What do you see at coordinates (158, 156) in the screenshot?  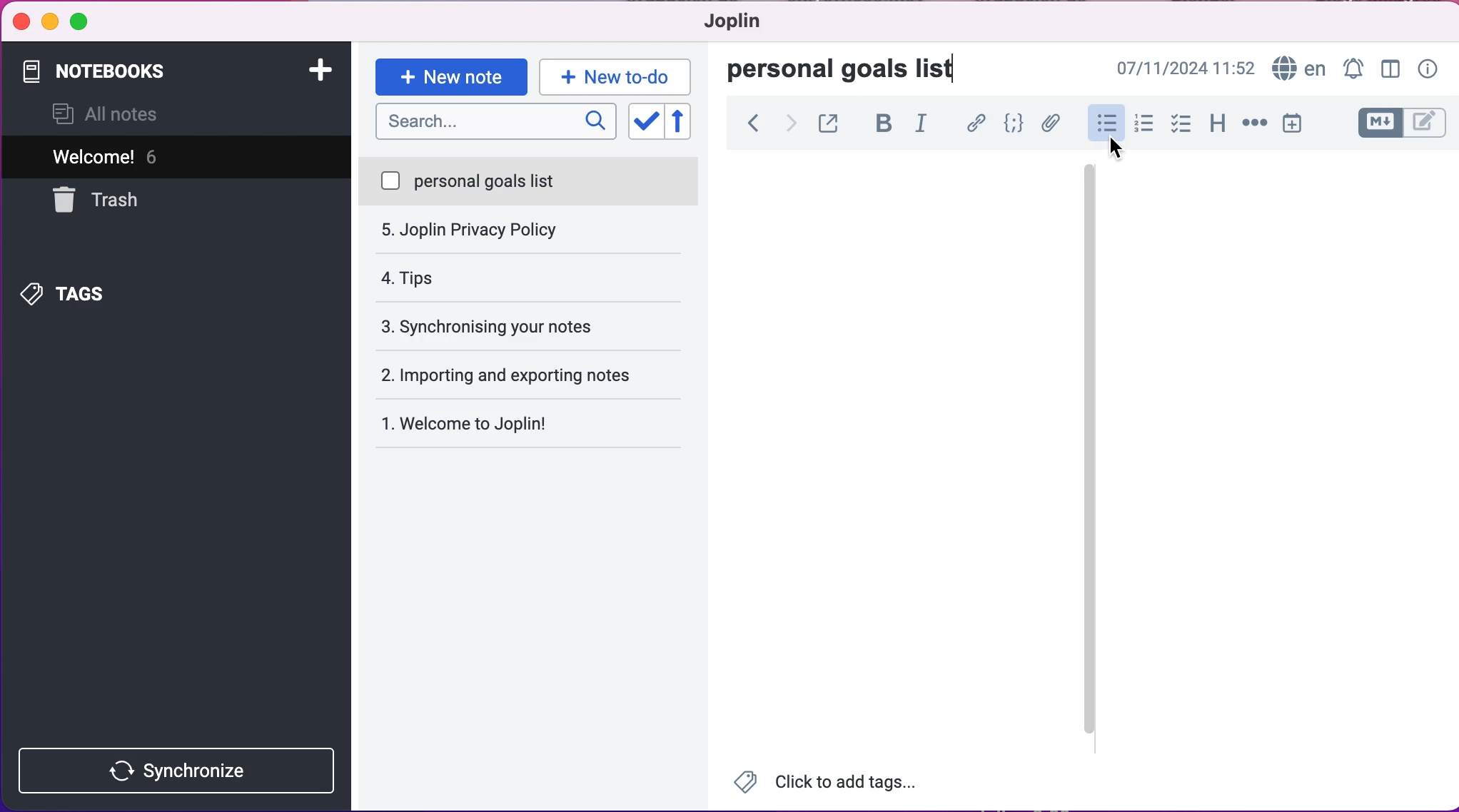 I see `welcome! 5` at bounding box center [158, 156].